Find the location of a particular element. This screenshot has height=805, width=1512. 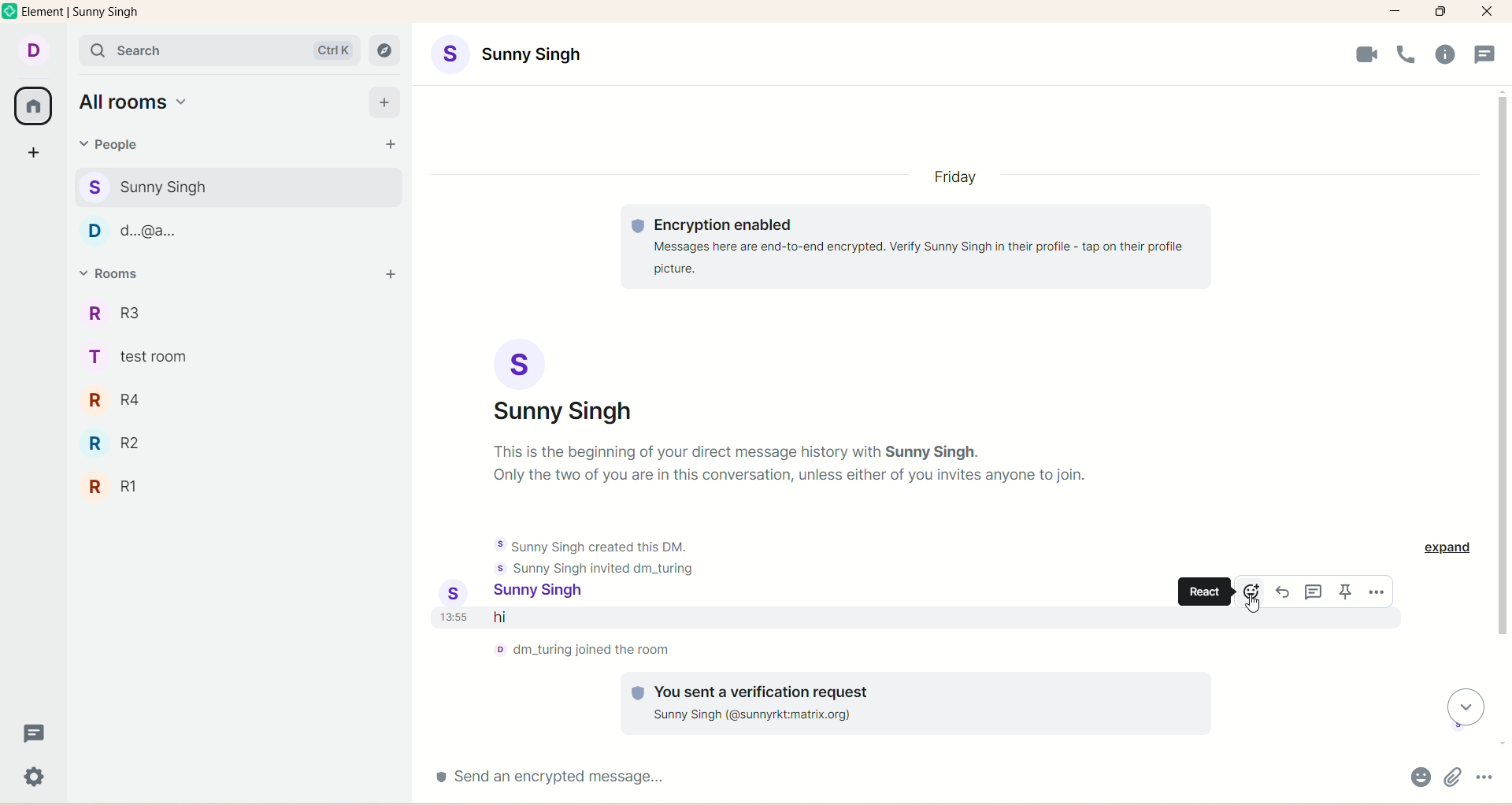

add is located at coordinates (389, 276).